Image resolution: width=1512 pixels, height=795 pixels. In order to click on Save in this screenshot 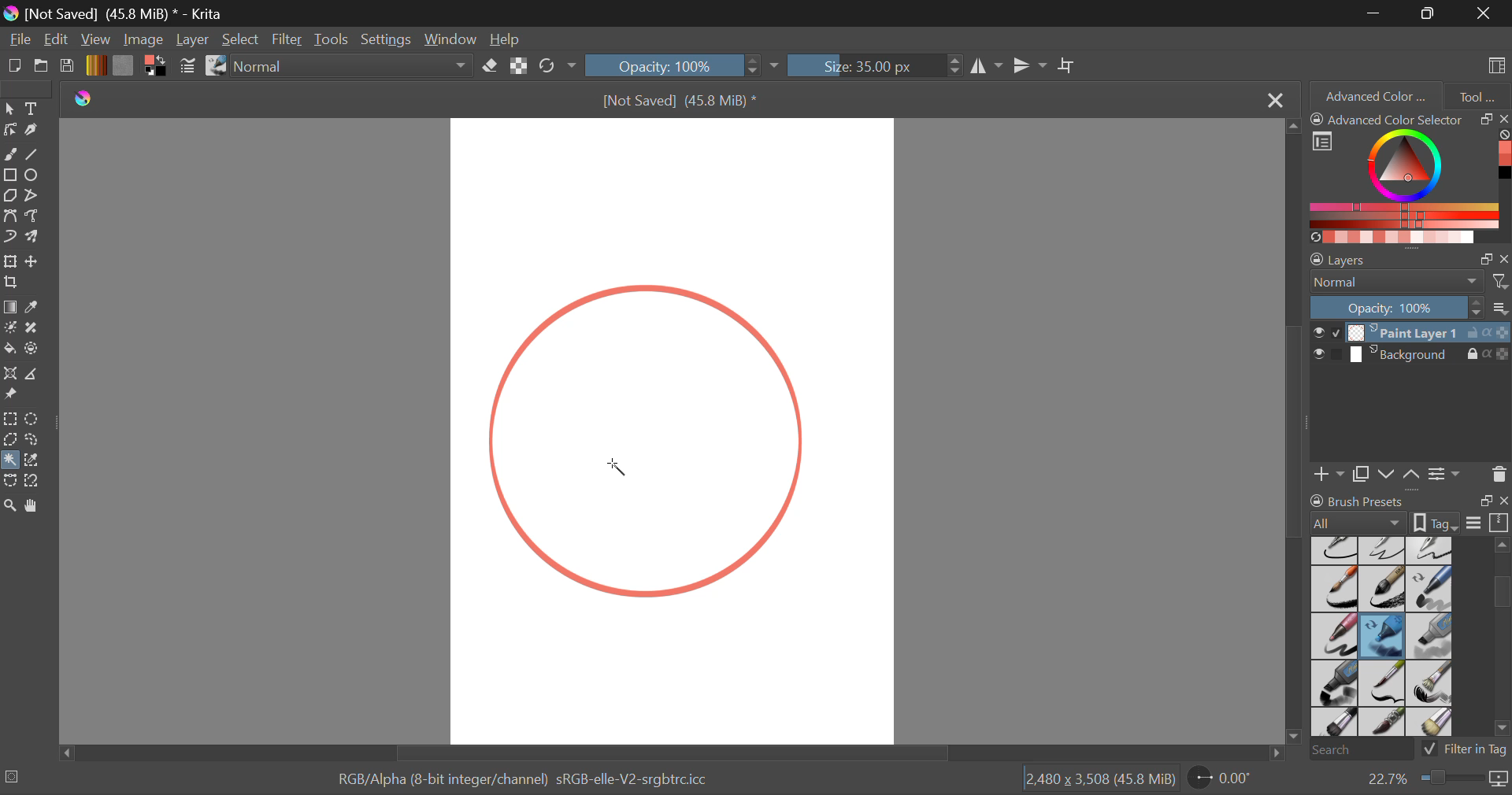, I will do `click(68, 67)`.